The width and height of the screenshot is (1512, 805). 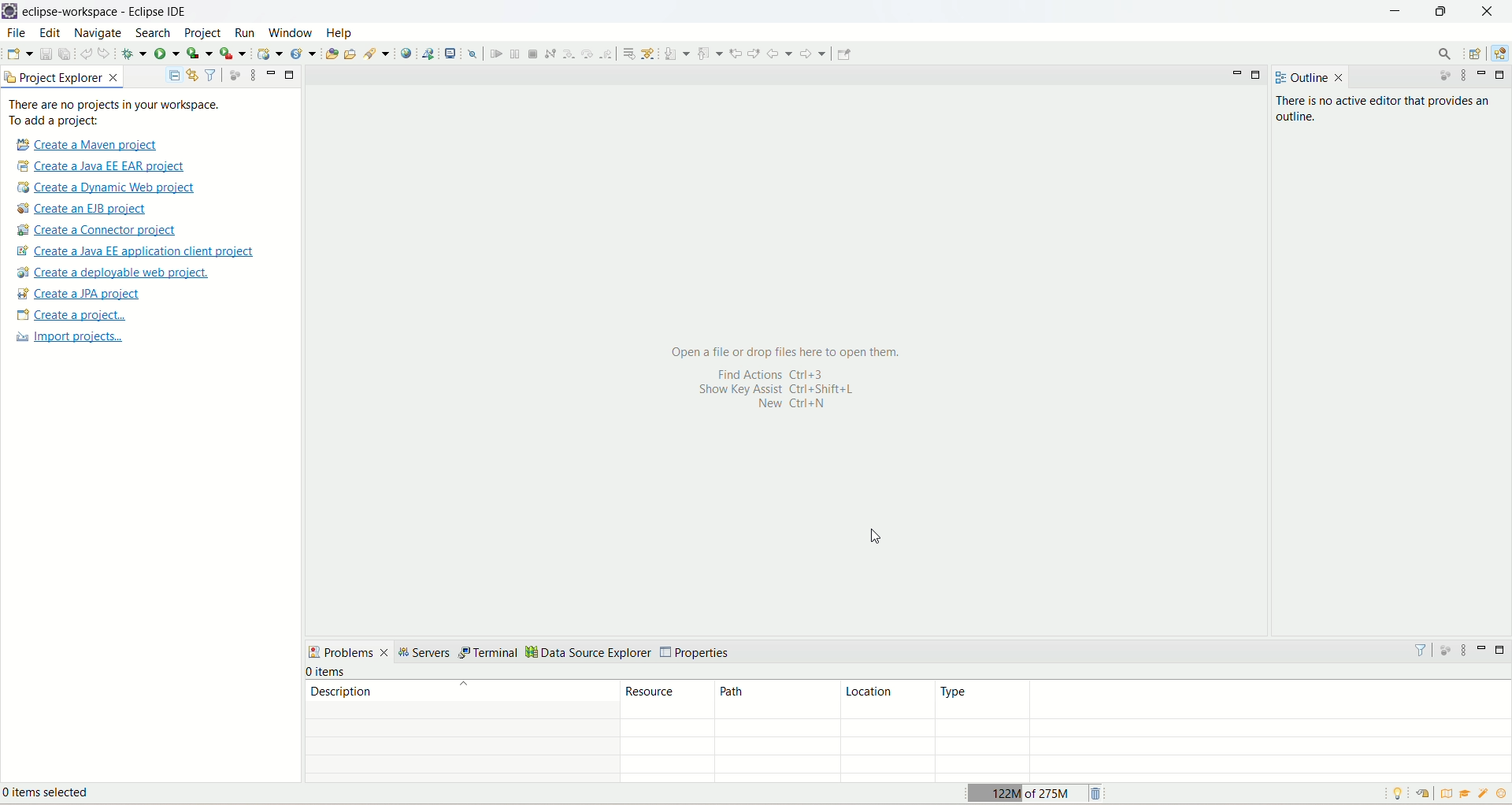 I want to click on focus on active task, so click(x=235, y=74).